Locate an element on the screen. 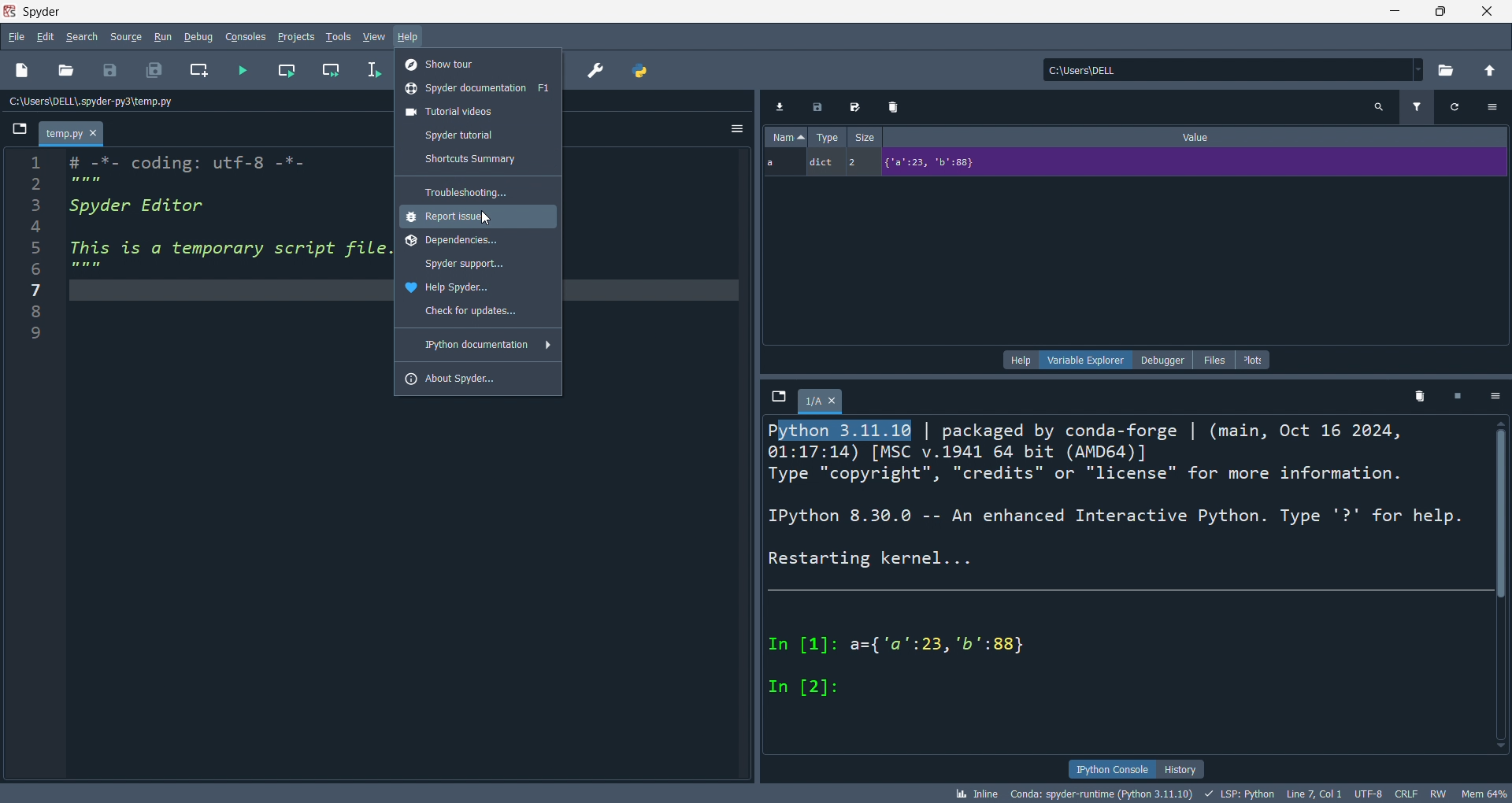  run cell and move is located at coordinates (334, 71).